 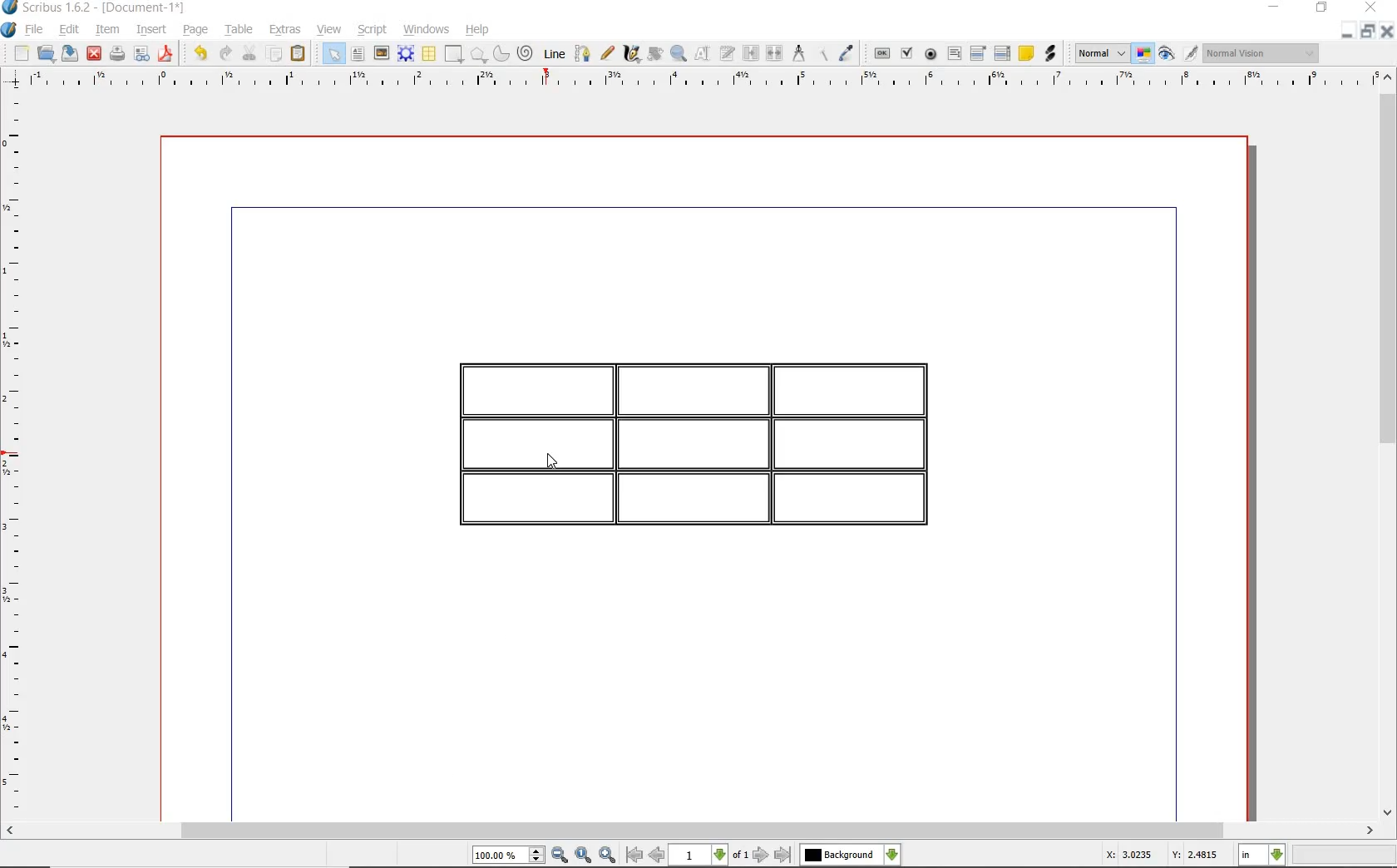 I want to click on select current unit, so click(x=1261, y=856).